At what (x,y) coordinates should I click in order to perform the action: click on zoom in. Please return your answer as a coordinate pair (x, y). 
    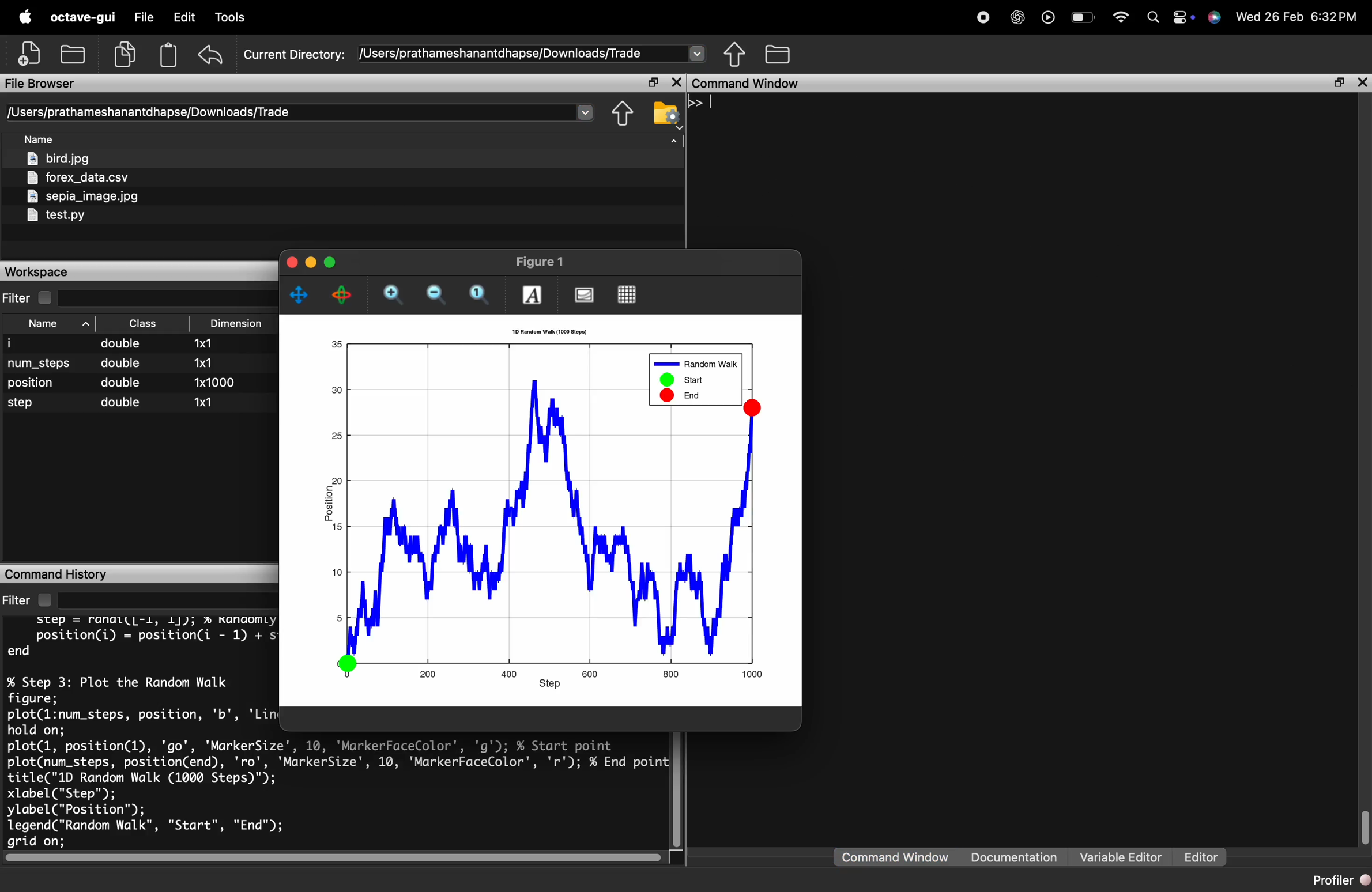
    Looking at the image, I should click on (393, 297).